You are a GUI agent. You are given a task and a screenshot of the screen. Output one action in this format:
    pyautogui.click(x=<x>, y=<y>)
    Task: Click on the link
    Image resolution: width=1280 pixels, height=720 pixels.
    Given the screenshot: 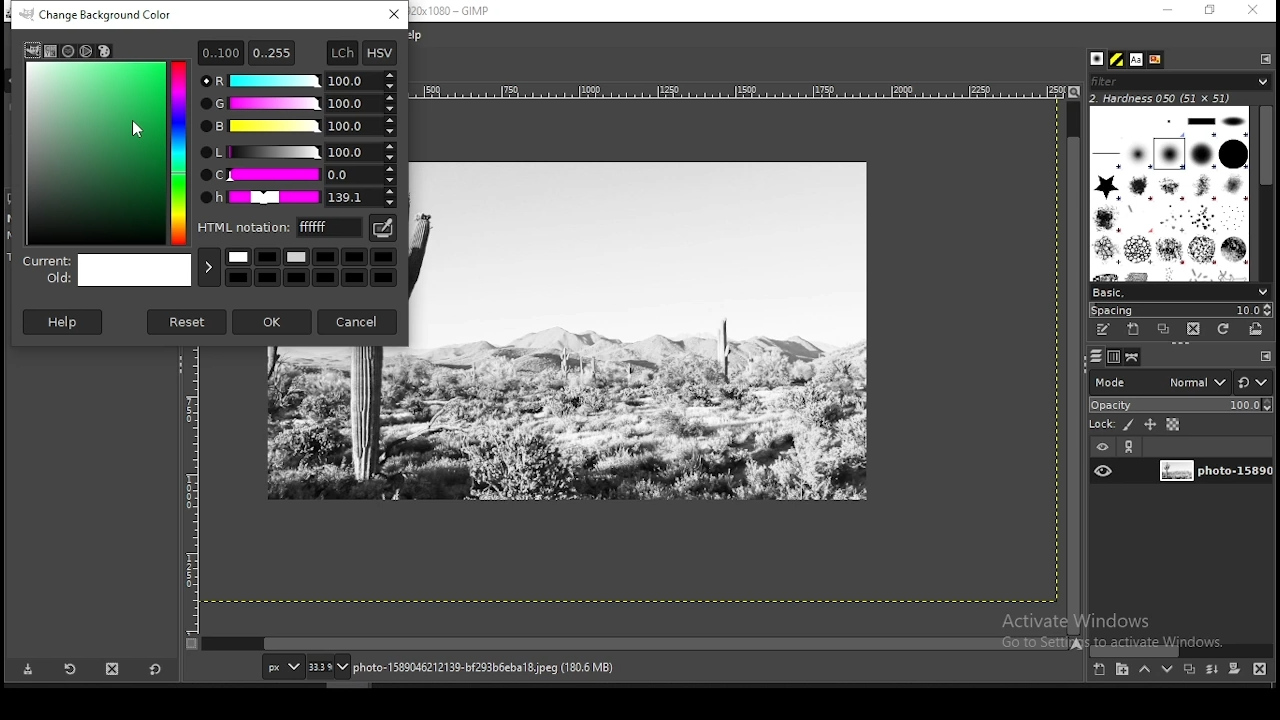 What is the action you would take?
    pyautogui.click(x=1131, y=447)
    